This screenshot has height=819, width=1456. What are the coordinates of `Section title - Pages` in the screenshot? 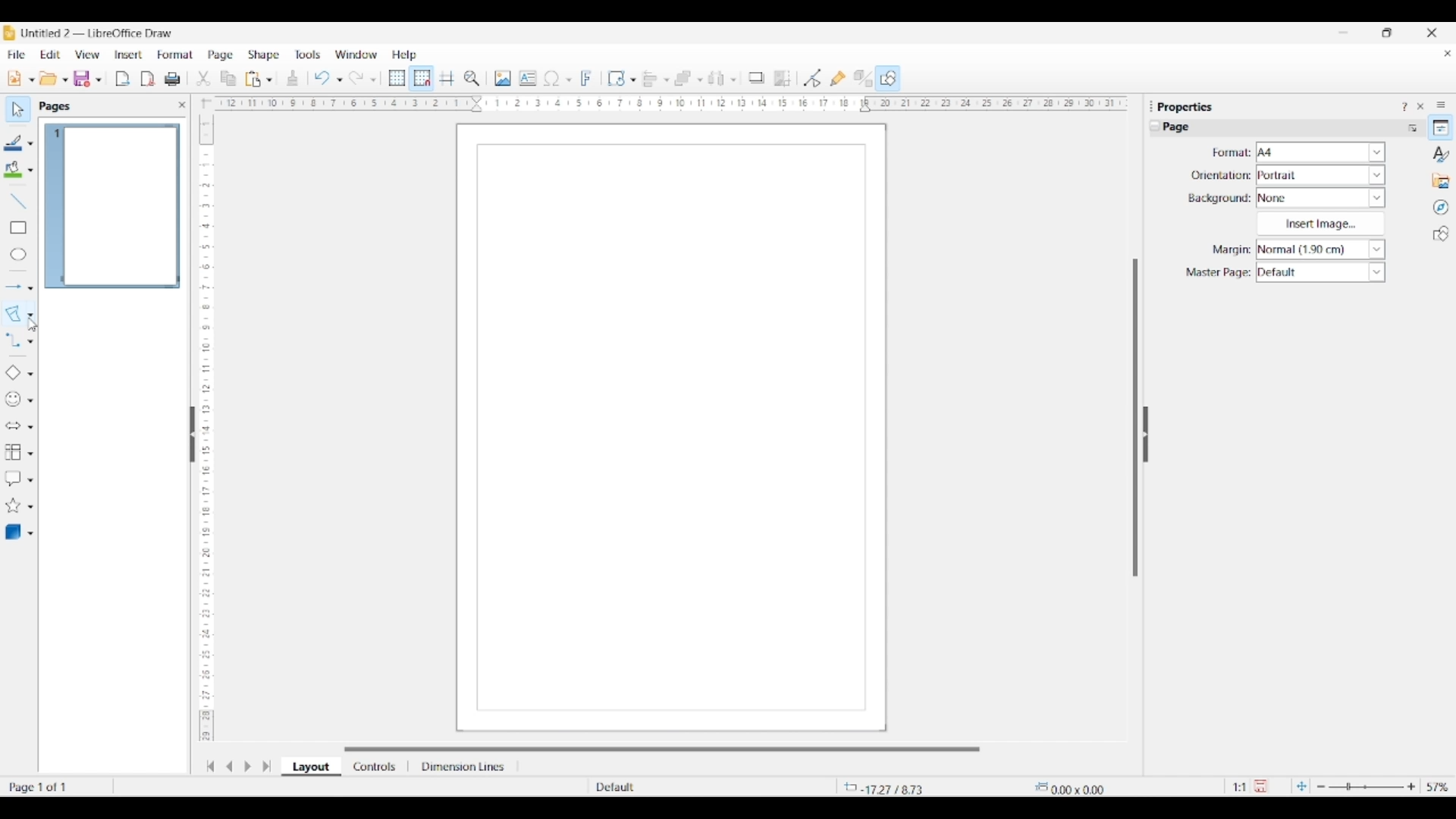 It's located at (58, 106).